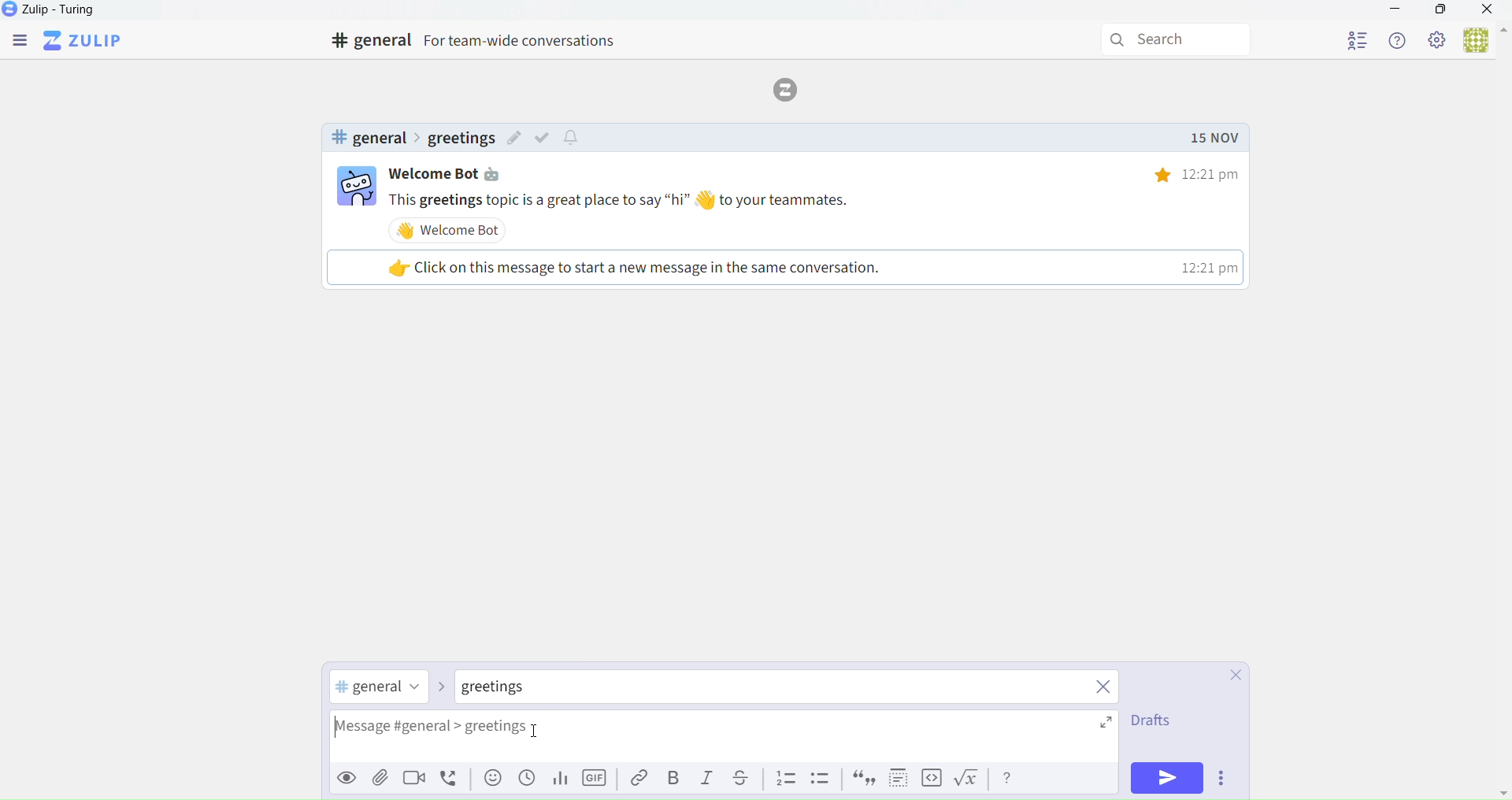  What do you see at coordinates (18, 42) in the screenshot?
I see `Menu Bar` at bounding box center [18, 42].